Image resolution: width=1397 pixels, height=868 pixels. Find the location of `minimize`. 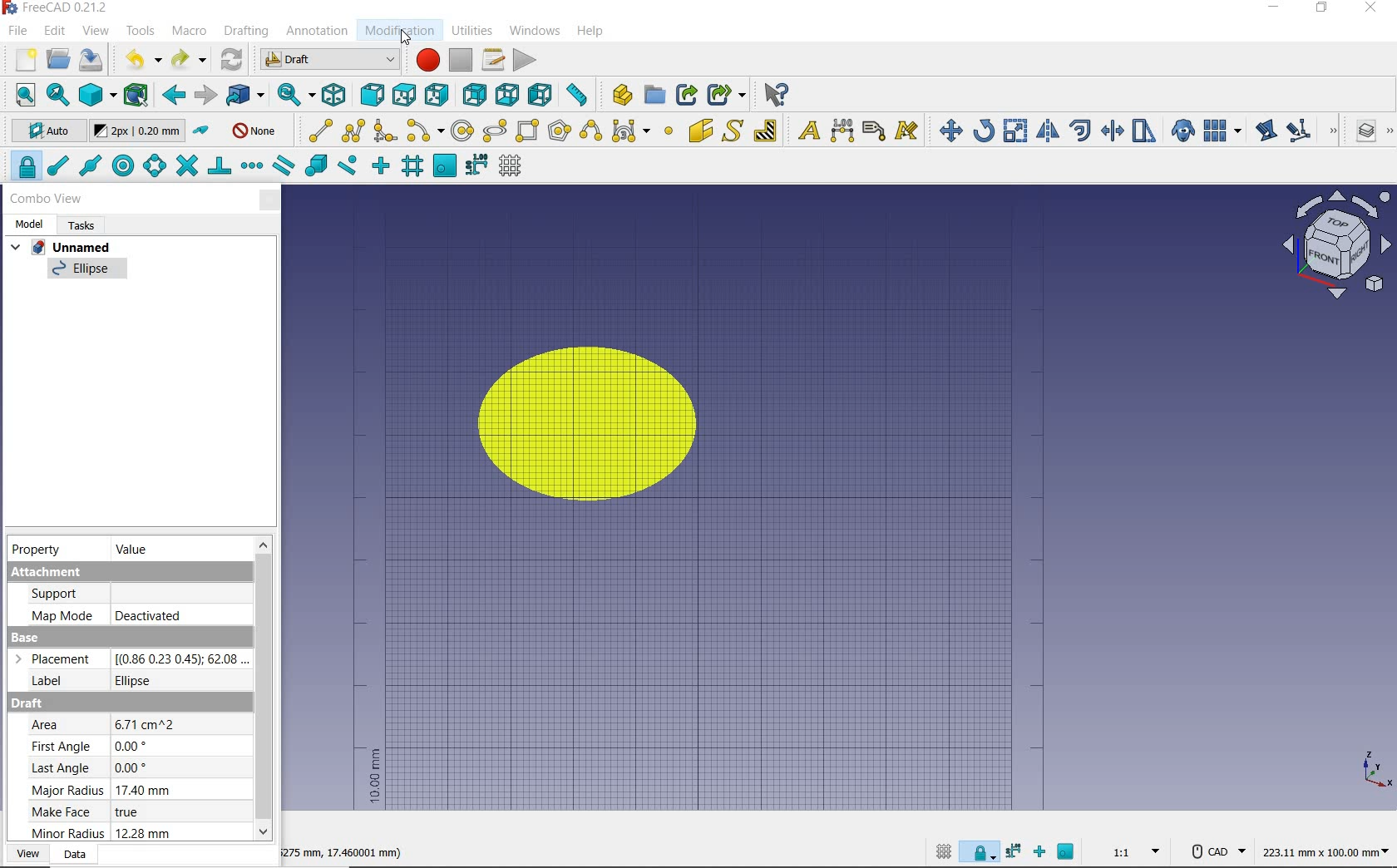

minimize is located at coordinates (1275, 9).